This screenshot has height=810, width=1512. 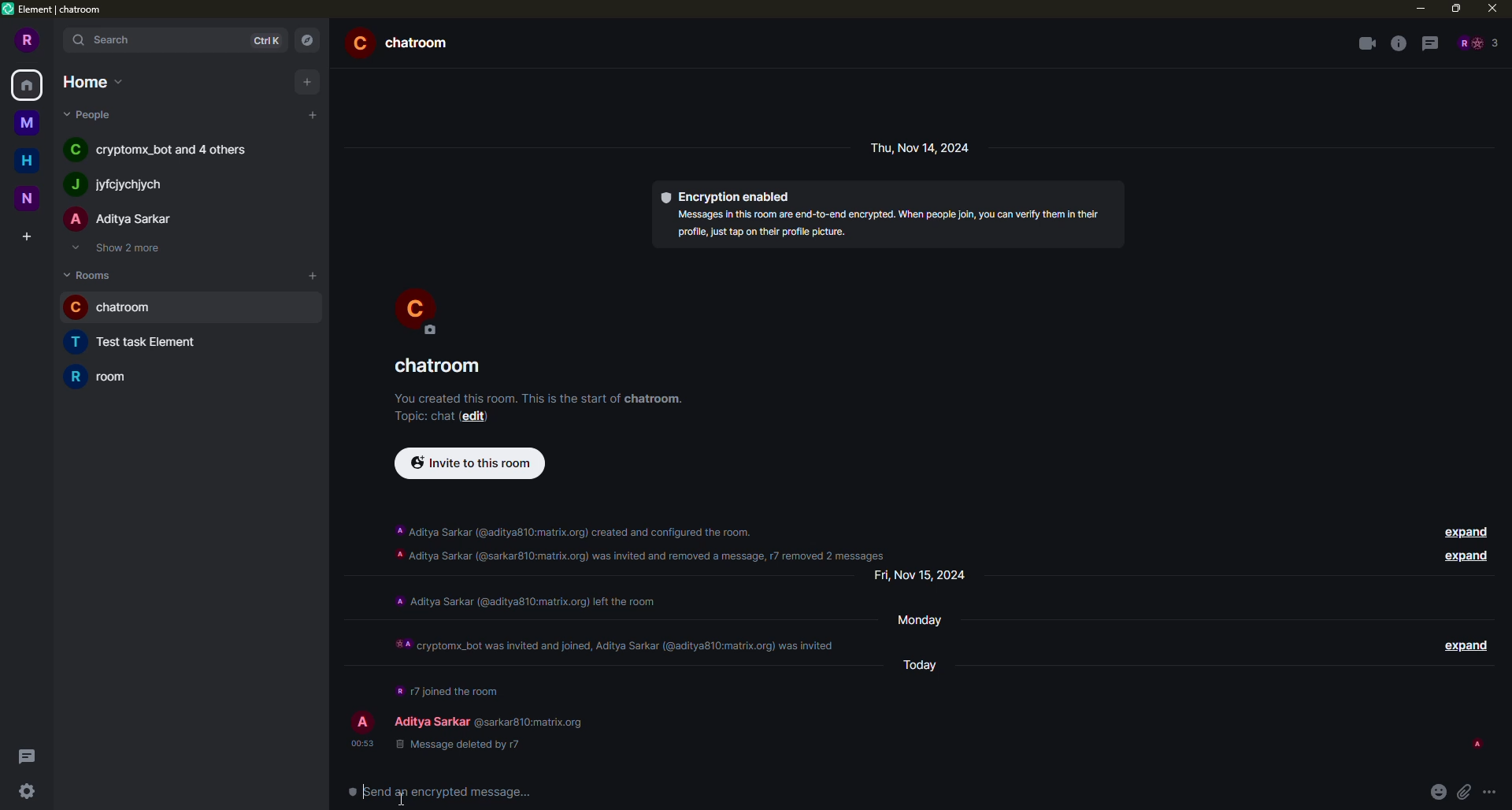 What do you see at coordinates (1417, 8) in the screenshot?
I see `minimize` at bounding box center [1417, 8].